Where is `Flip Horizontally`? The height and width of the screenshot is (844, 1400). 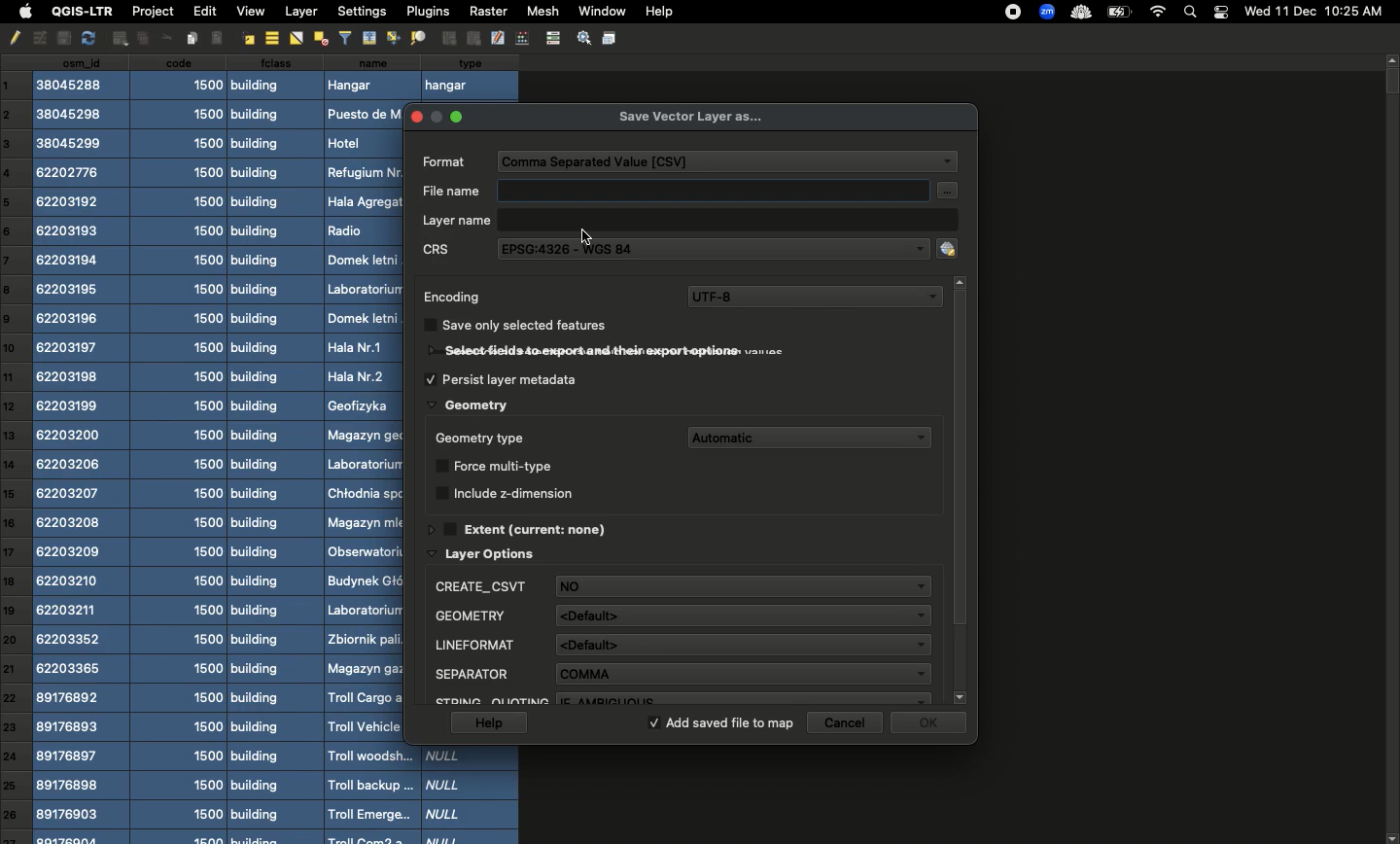
Flip Horizontally is located at coordinates (295, 39).